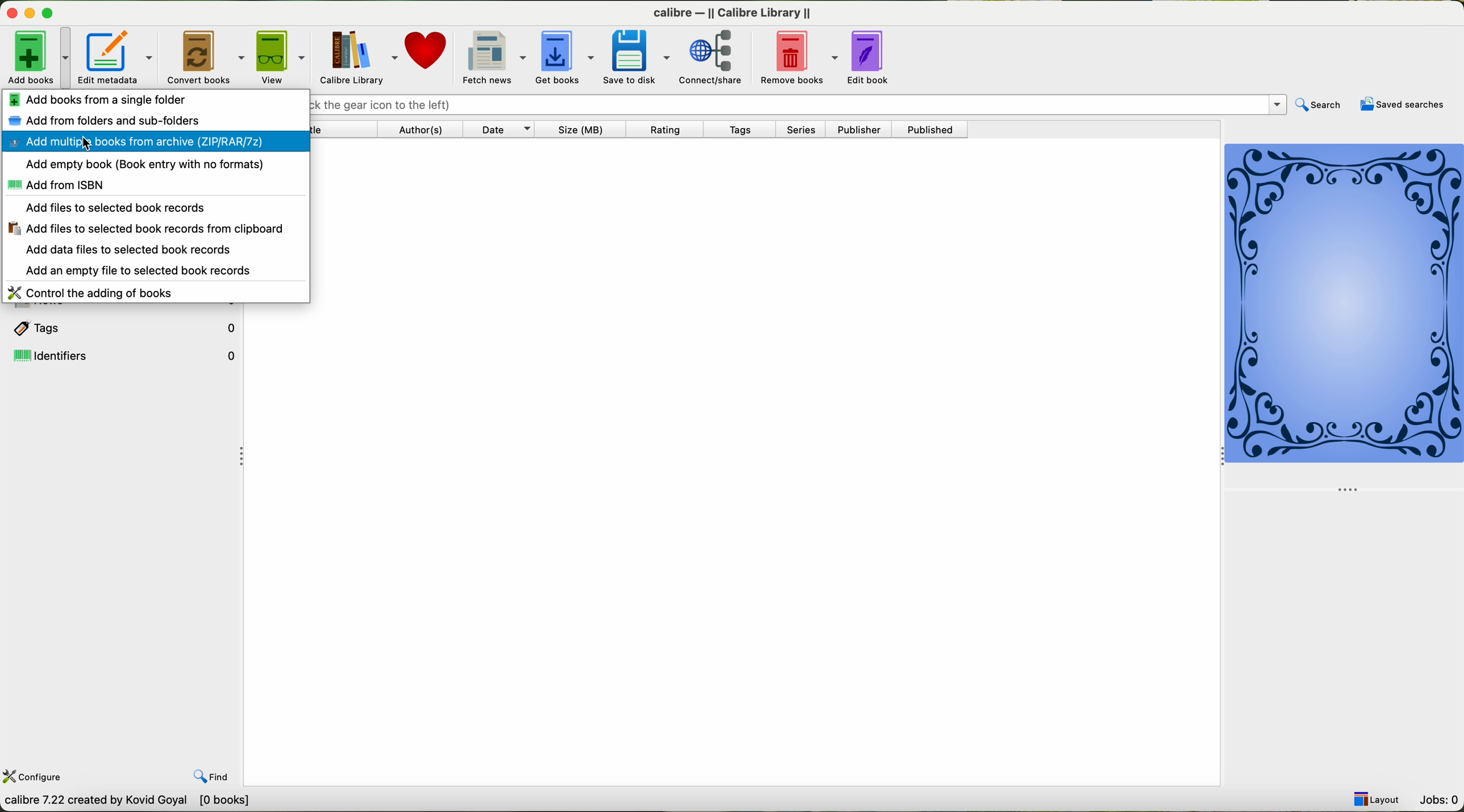 The width and height of the screenshot is (1464, 812). Describe the element at coordinates (27, 14) in the screenshot. I see `minimize` at that location.